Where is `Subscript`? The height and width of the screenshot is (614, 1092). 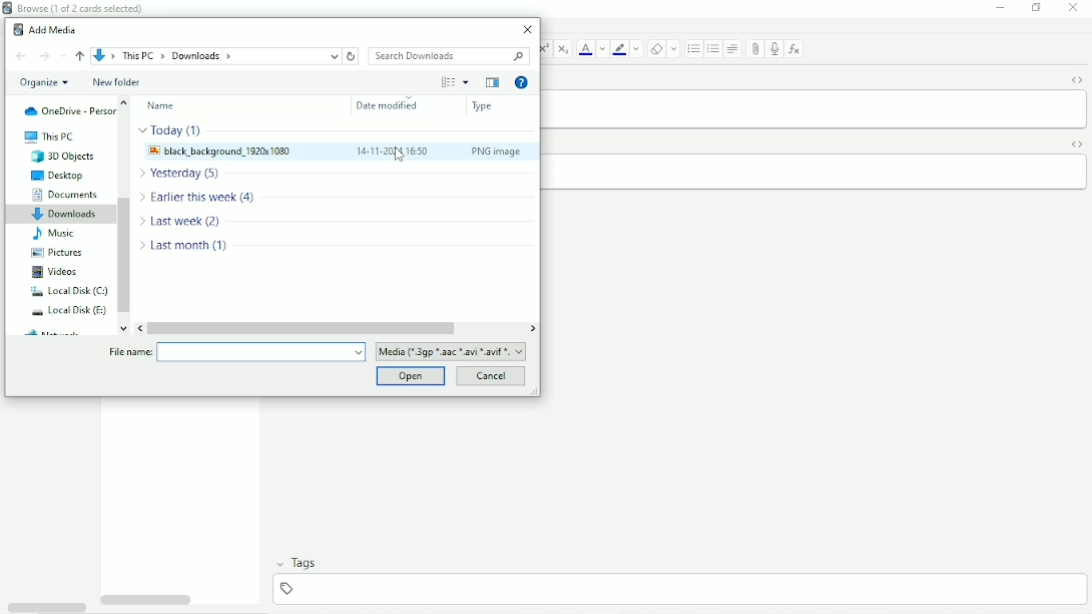 Subscript is located at coordinates (565, 49).